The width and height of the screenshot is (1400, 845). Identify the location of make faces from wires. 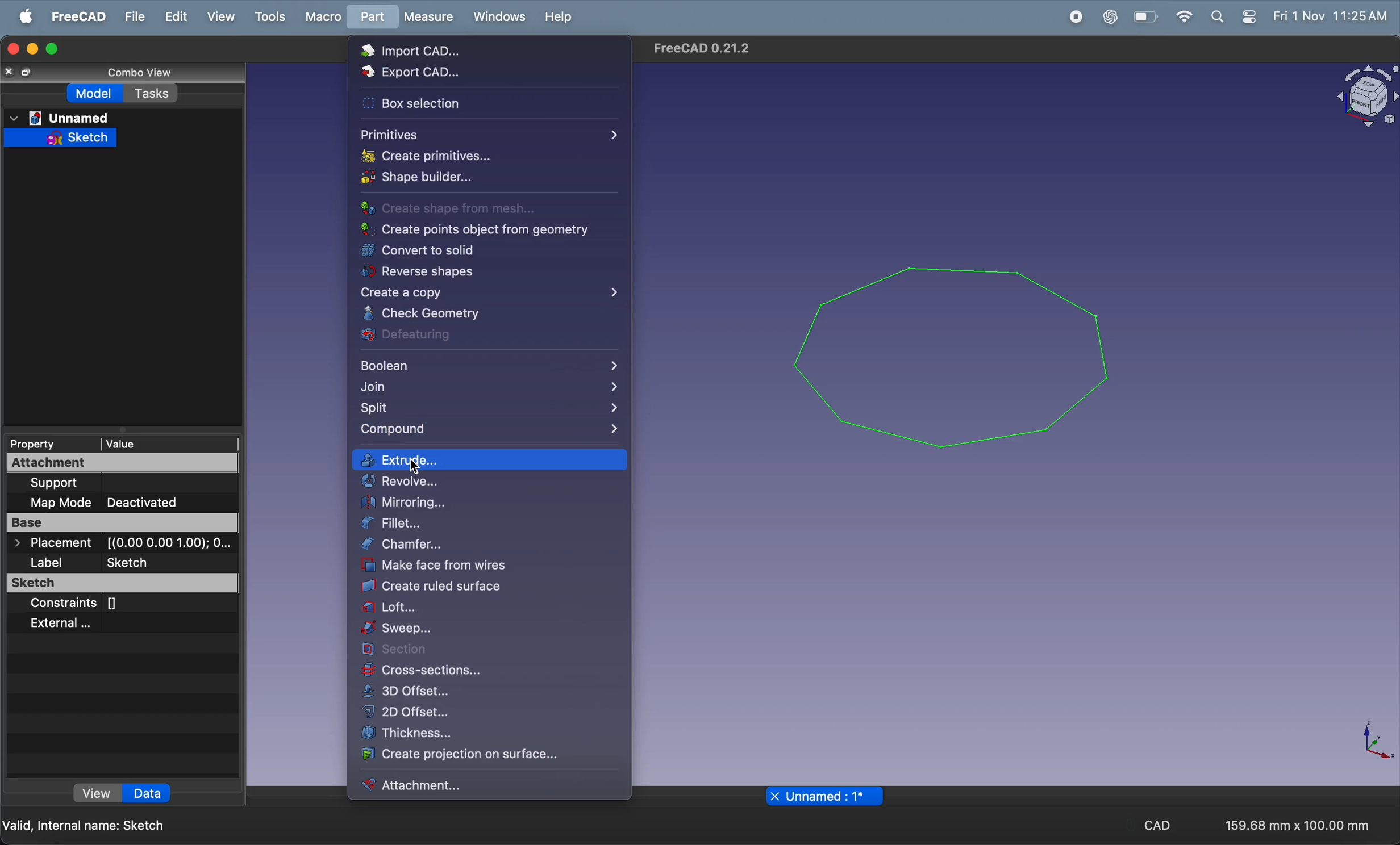
(482, 567).